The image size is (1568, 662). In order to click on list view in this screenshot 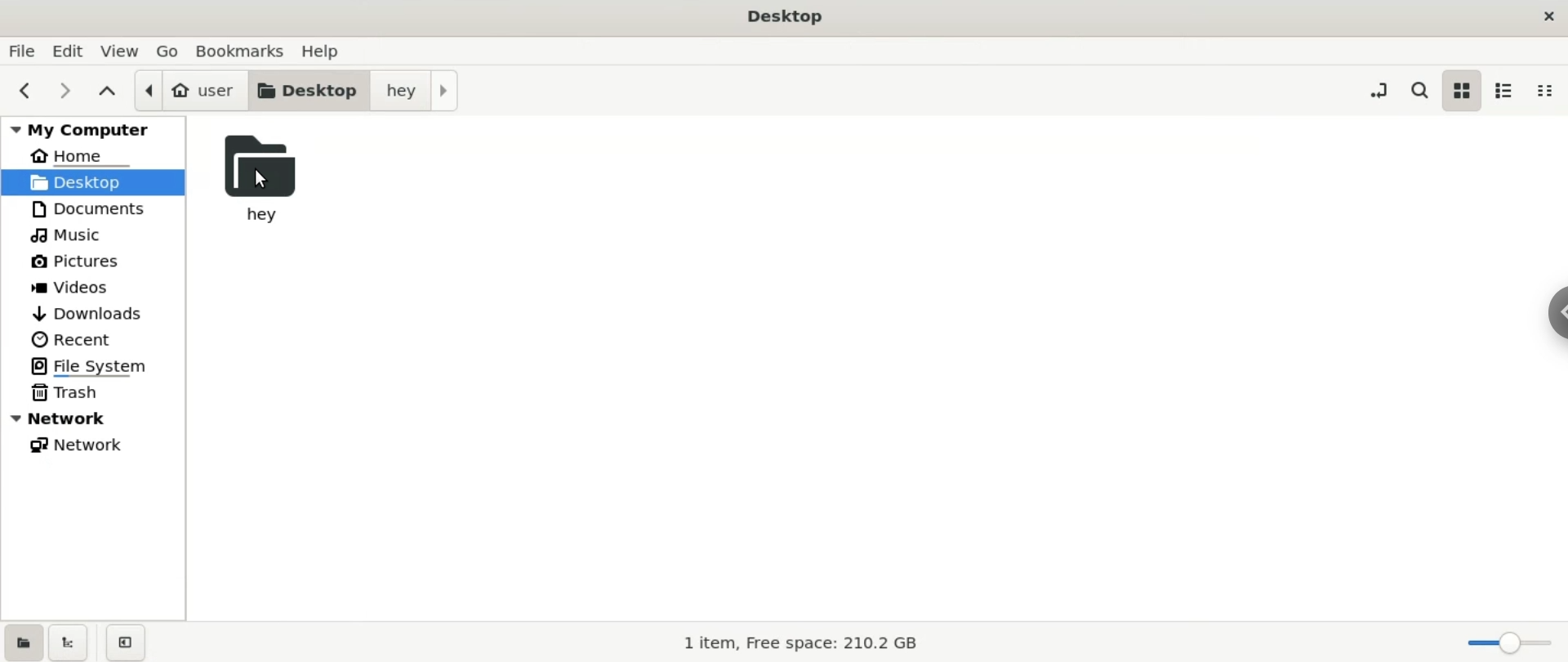, I will do `click(1503, 90)`.